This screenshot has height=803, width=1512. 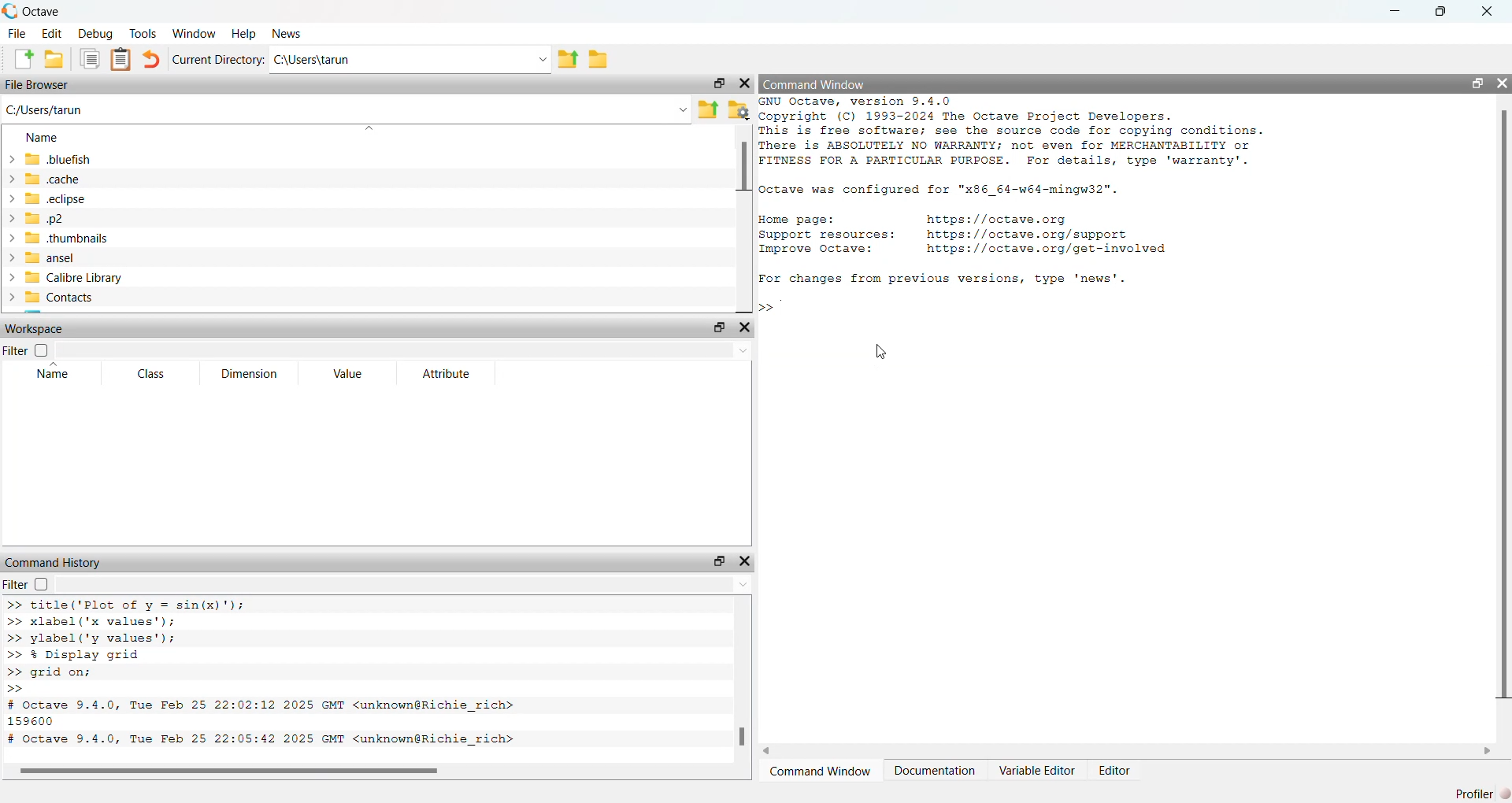 I want to click on C:\Users\tarun, so click(x=410, y=59).